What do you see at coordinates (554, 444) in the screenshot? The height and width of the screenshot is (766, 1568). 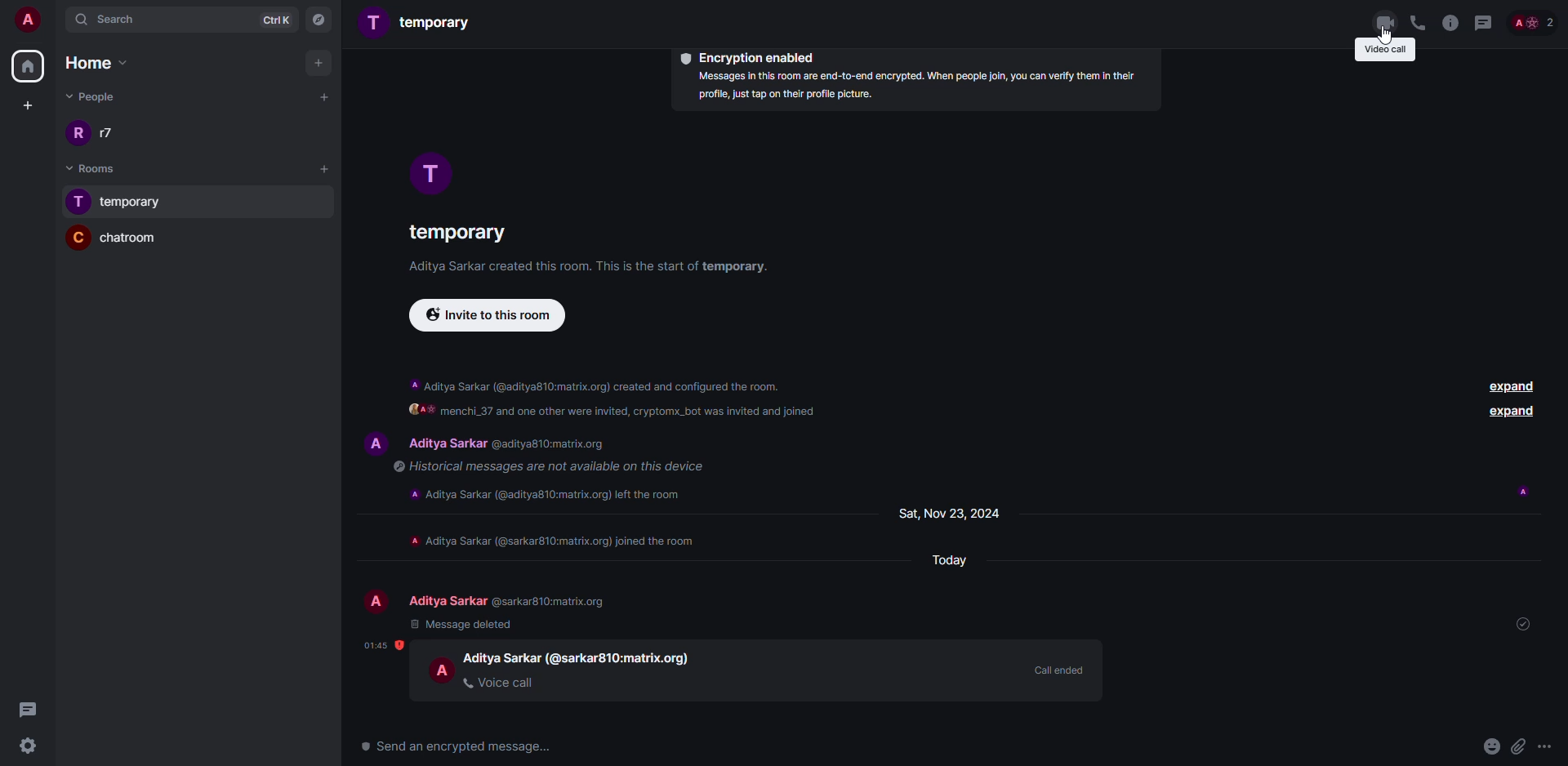 I see `id` at bounding box center [554, 444].